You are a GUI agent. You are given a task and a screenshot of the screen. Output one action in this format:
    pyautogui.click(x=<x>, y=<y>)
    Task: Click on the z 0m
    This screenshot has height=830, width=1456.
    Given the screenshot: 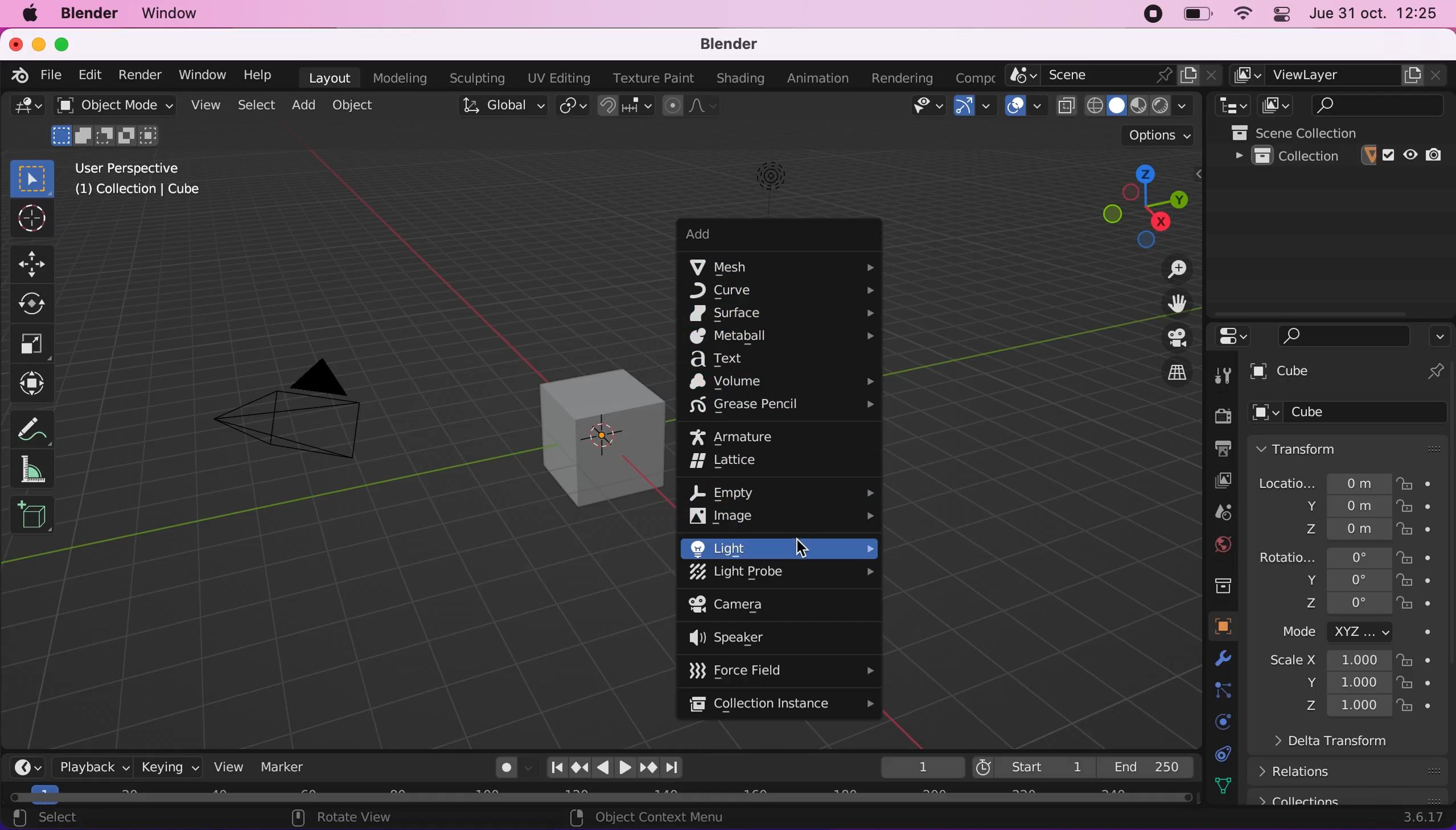 What is the action you would take?
    pyautogui.click(x=1343, y=530)
    